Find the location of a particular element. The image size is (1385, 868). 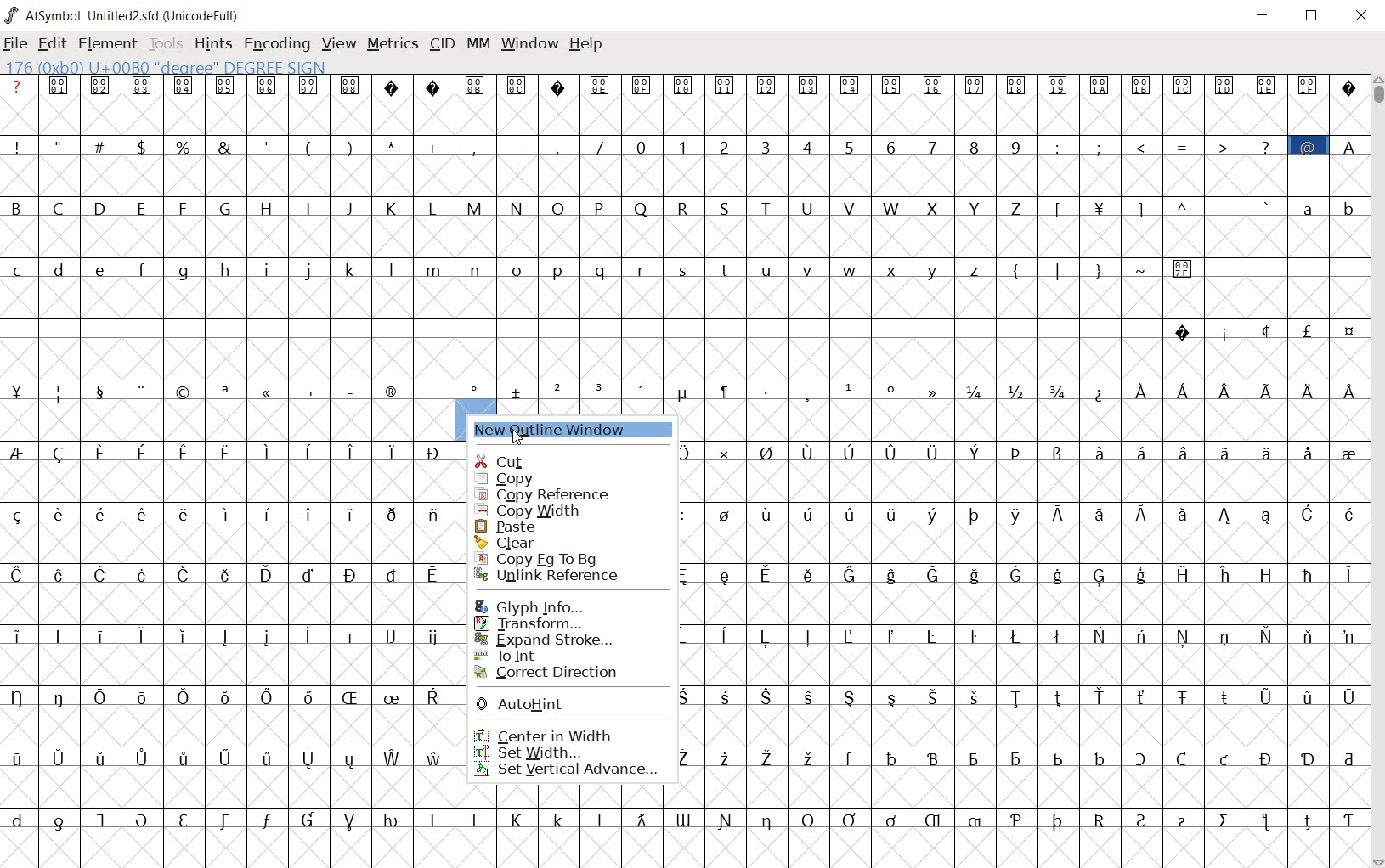

special characters is located at coordinates (475, 392).